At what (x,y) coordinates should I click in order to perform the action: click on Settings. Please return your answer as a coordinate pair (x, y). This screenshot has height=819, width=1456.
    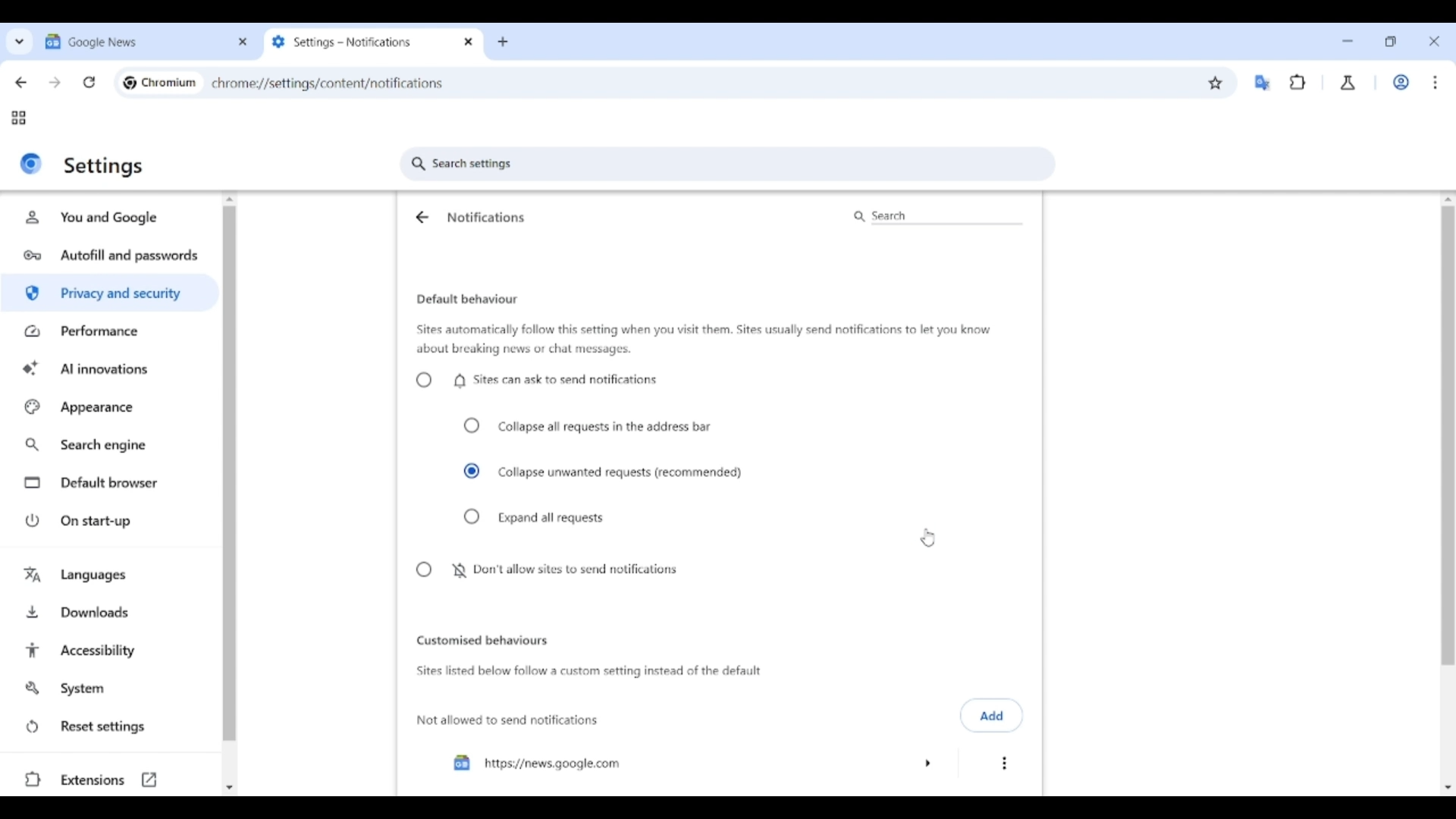
    Looking at the image, I should click on (105, 166).